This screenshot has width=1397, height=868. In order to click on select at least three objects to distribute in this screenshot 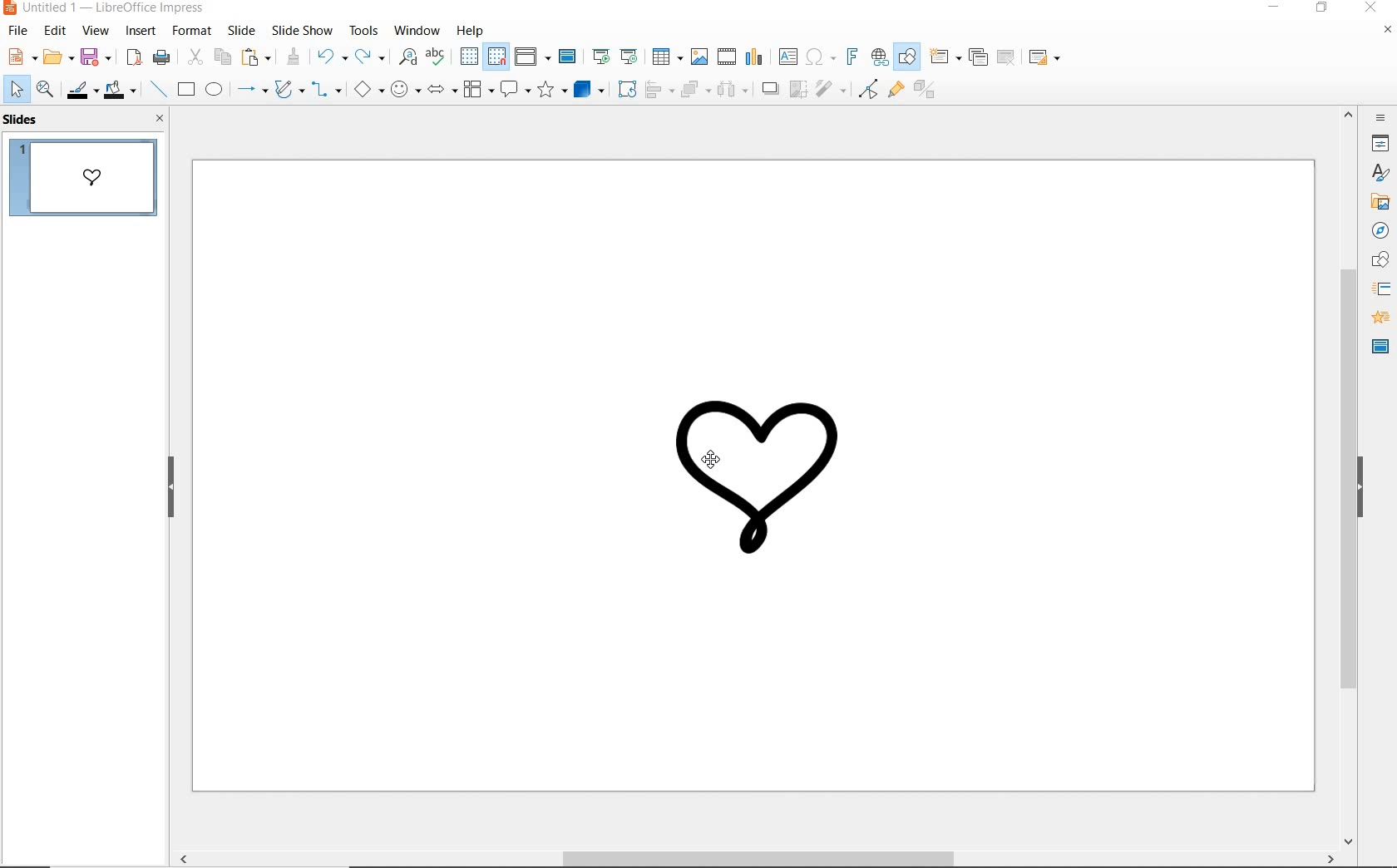, I will do `click(733, 91)`.